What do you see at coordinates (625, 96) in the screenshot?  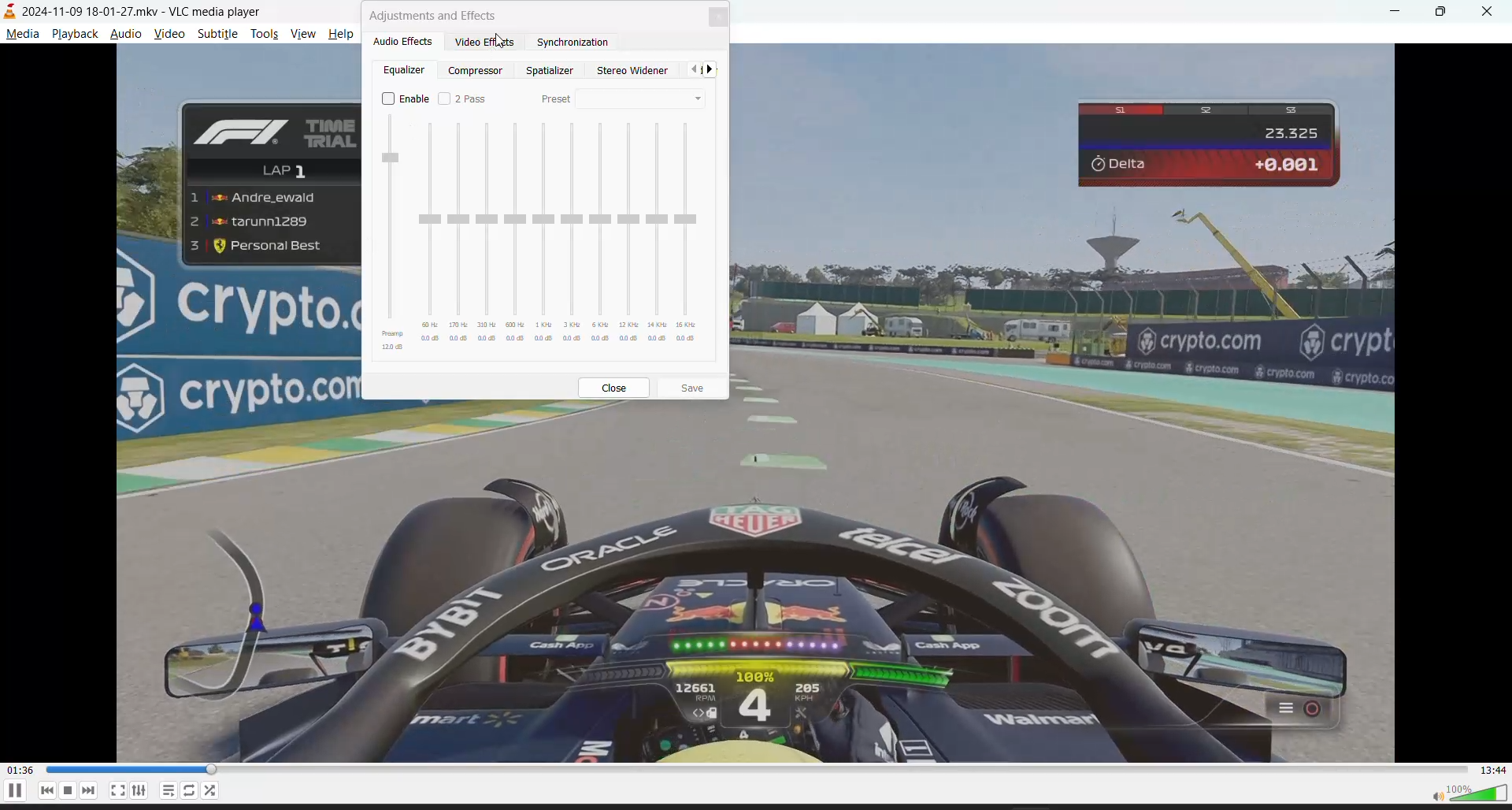 I see `preset` at bounding box center [625, 96].